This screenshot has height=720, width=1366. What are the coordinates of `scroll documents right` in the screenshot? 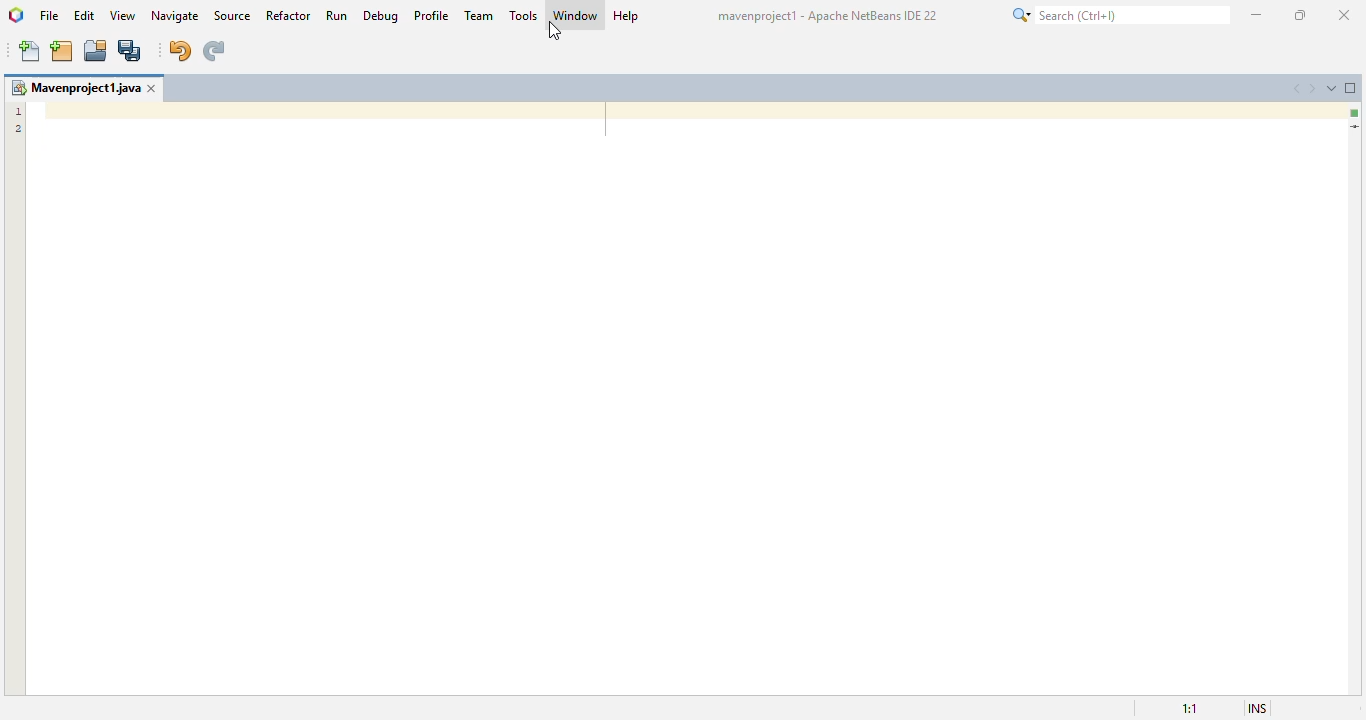 It's located at (1315, 88).